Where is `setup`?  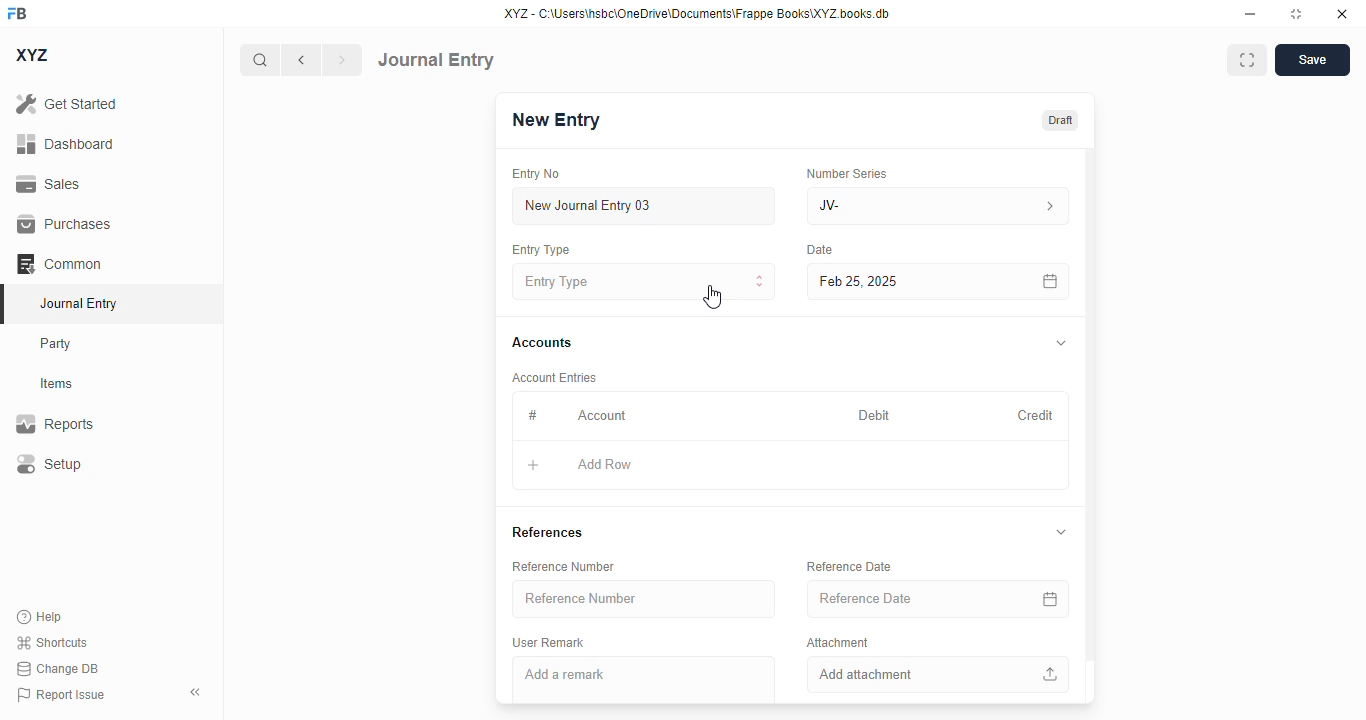 setup is located at coordinates (48, 463).